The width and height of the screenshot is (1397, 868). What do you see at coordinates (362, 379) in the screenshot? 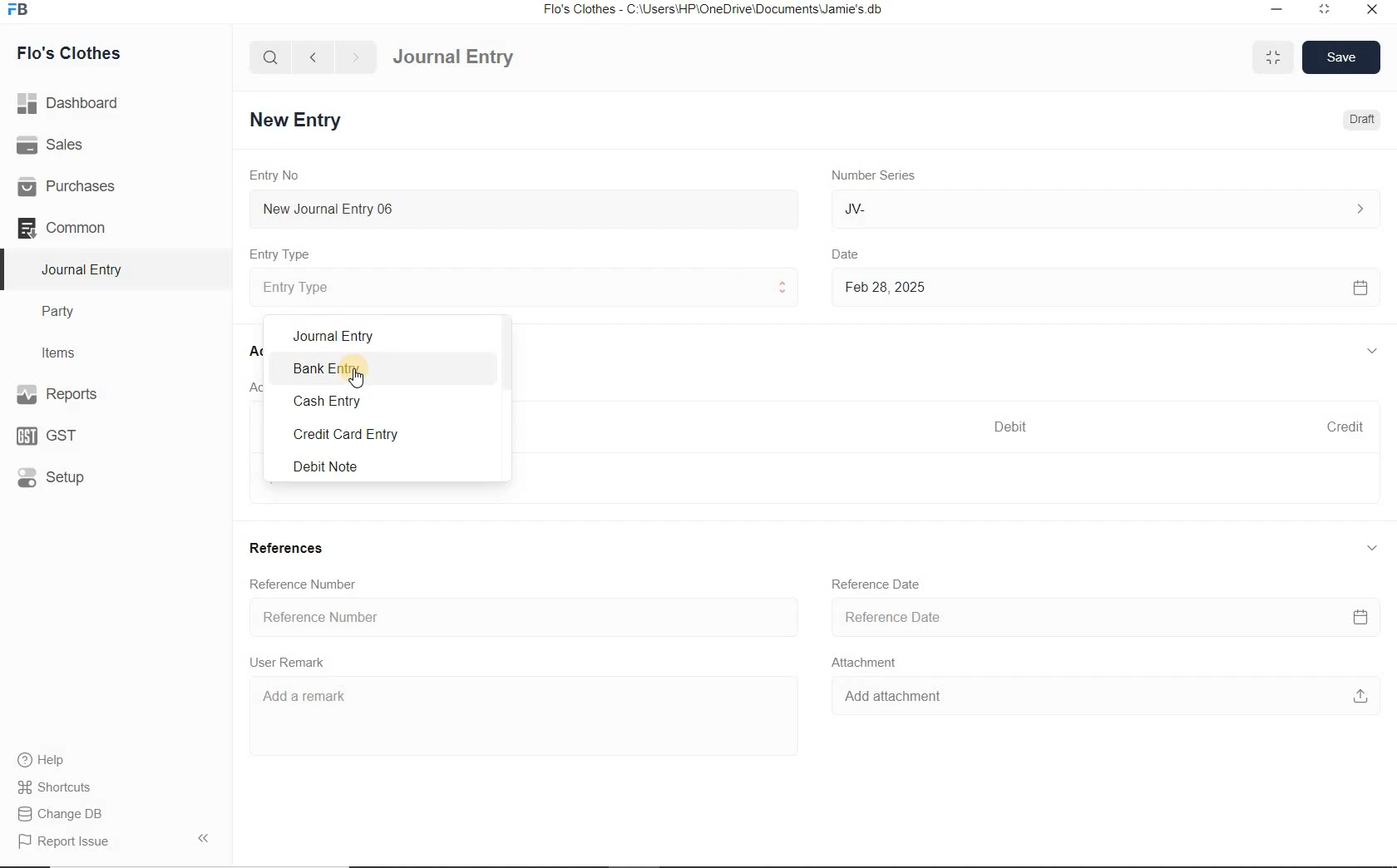
I see `cursor` at bounding box center [362, 379].